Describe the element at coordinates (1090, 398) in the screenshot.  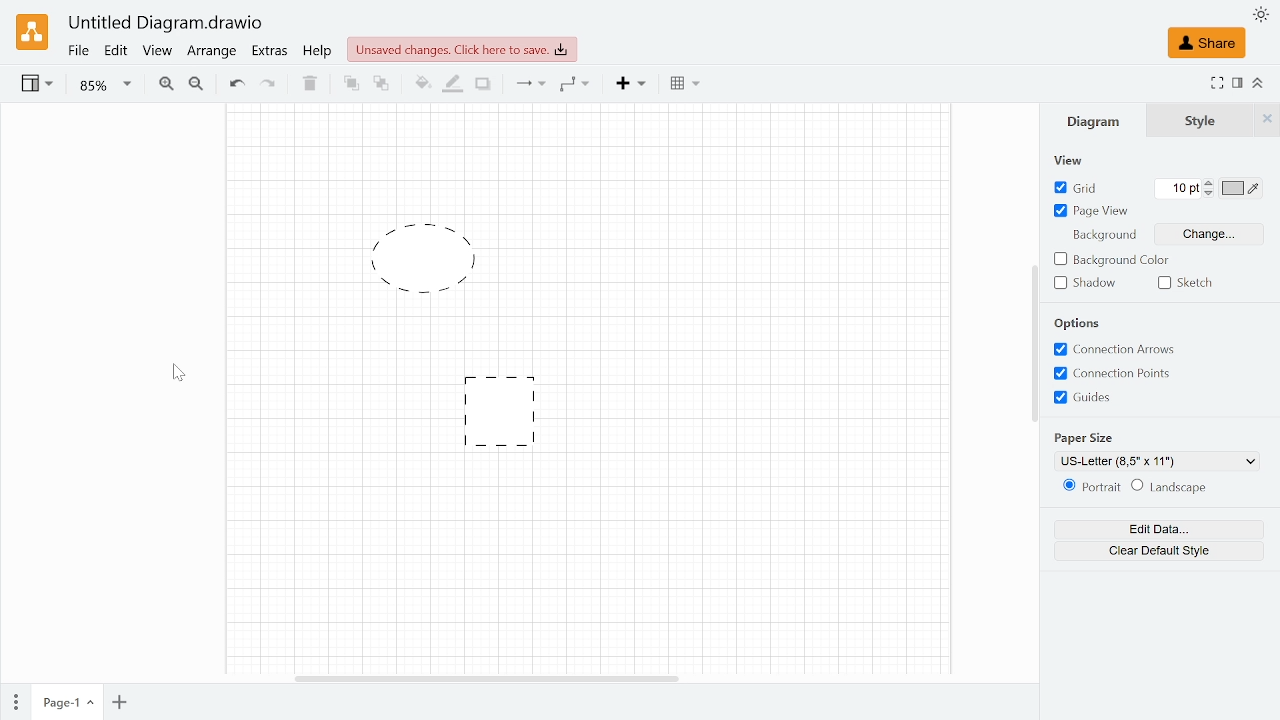
I see `Guides` at that location.